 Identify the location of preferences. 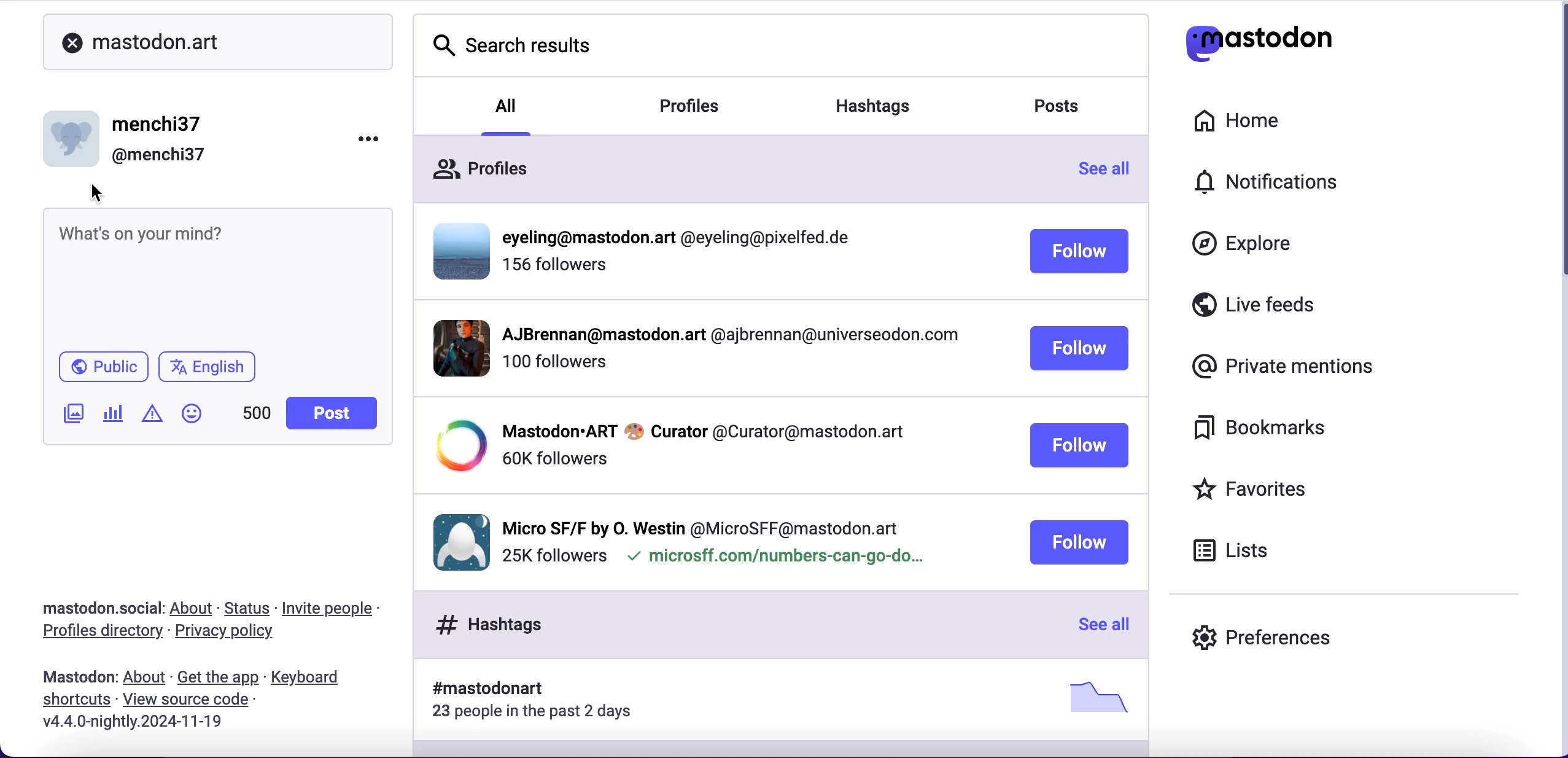
(1261, 641).